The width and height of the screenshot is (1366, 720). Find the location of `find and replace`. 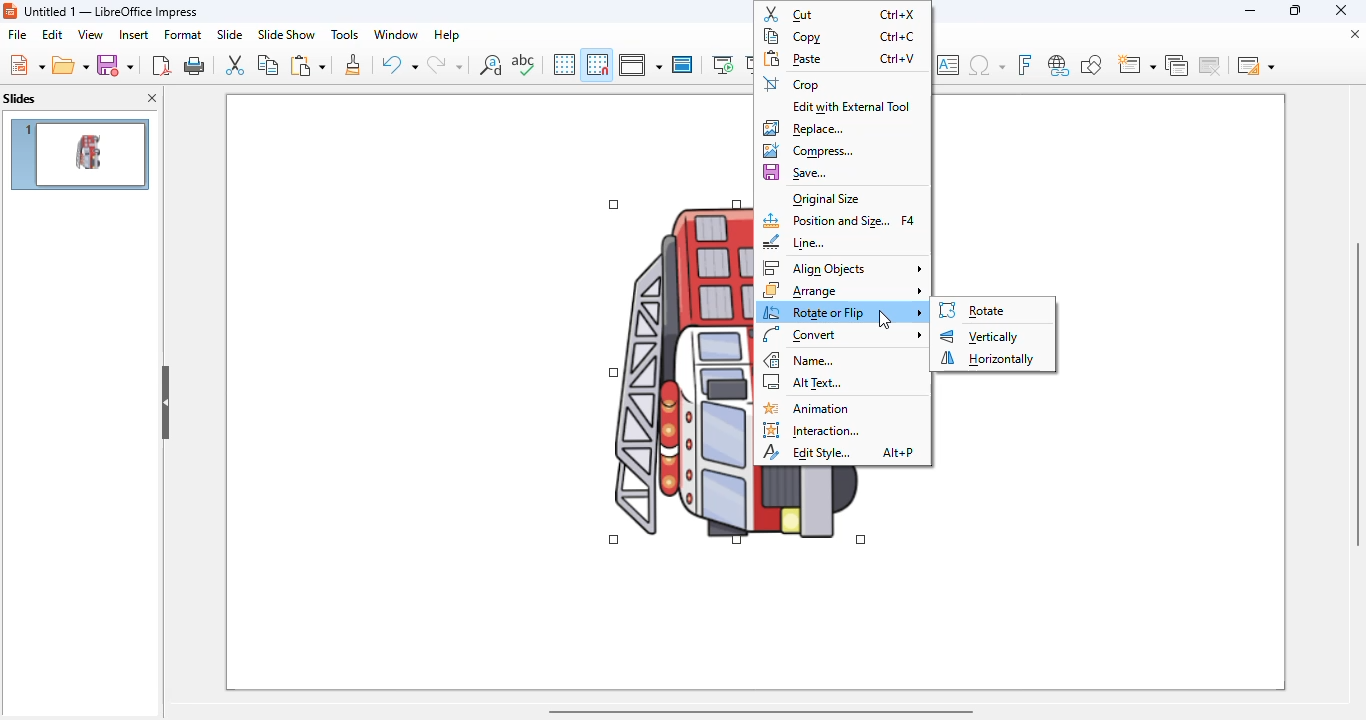

find and replace is located at coordinates (490, 64).